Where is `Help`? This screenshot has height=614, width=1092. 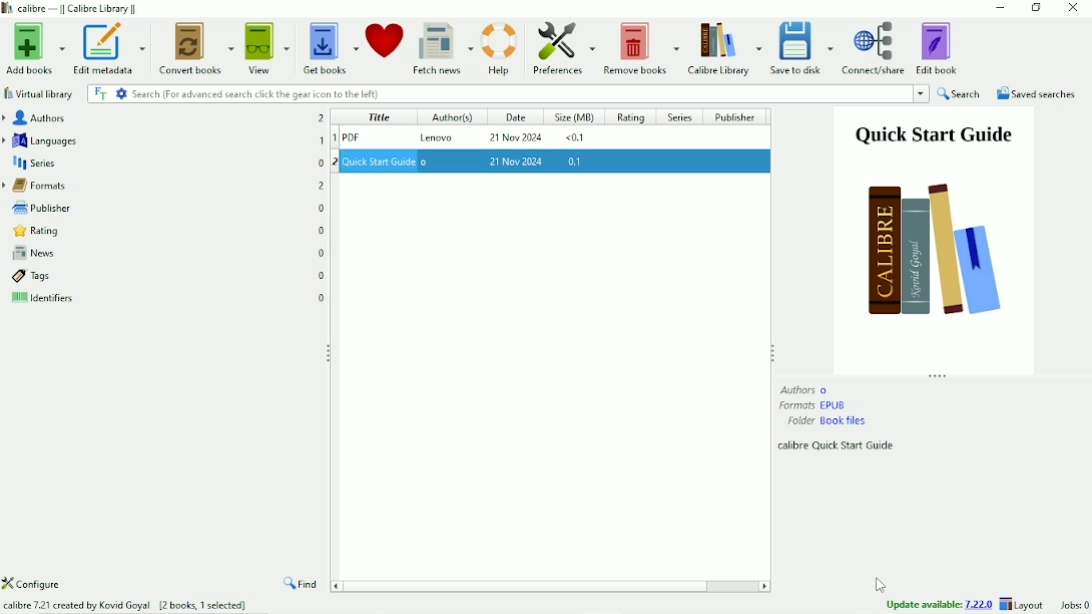 Help is located at coordinates (500, 46).